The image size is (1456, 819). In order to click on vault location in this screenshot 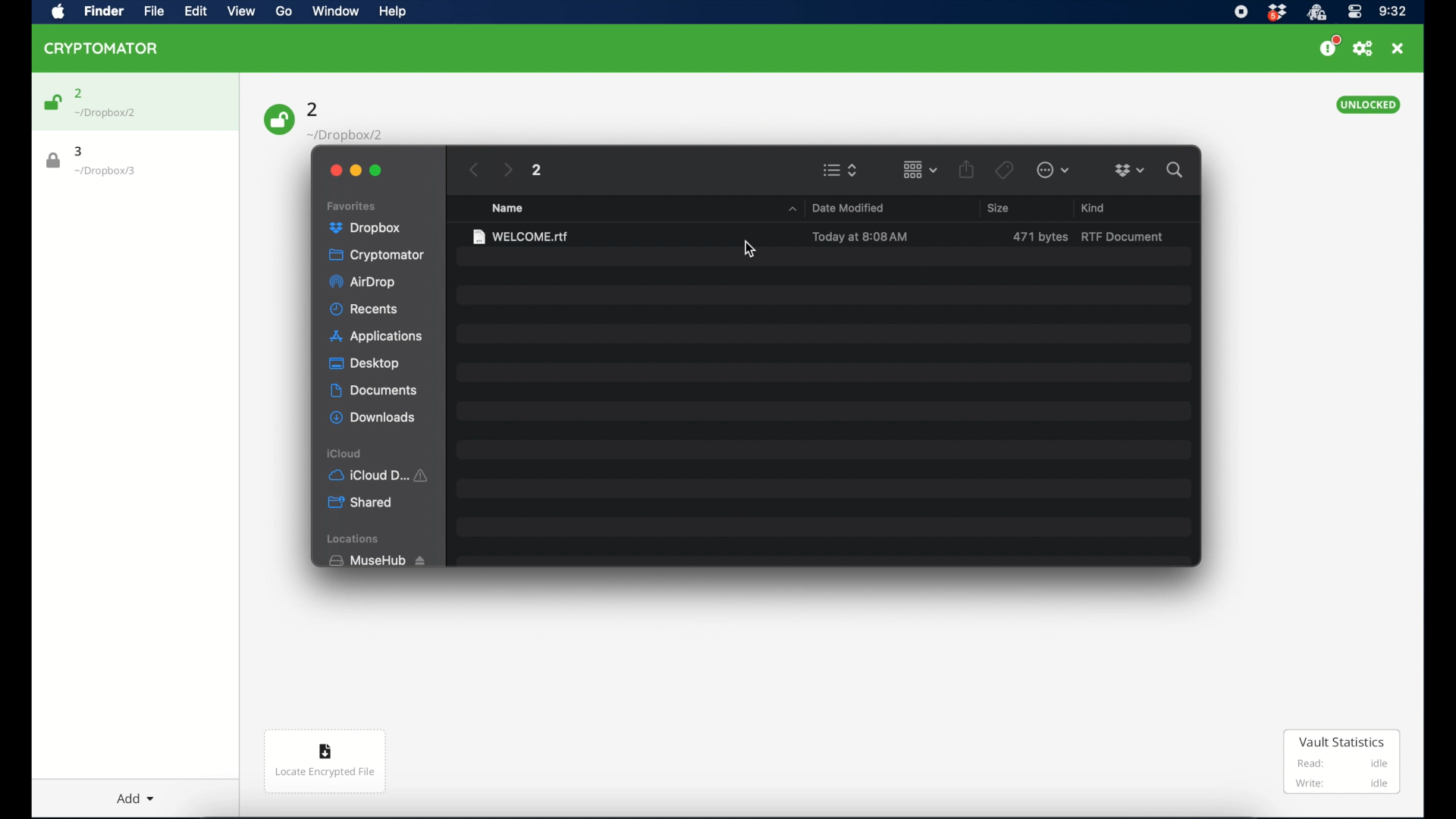, I will do `click(110, 173)`.